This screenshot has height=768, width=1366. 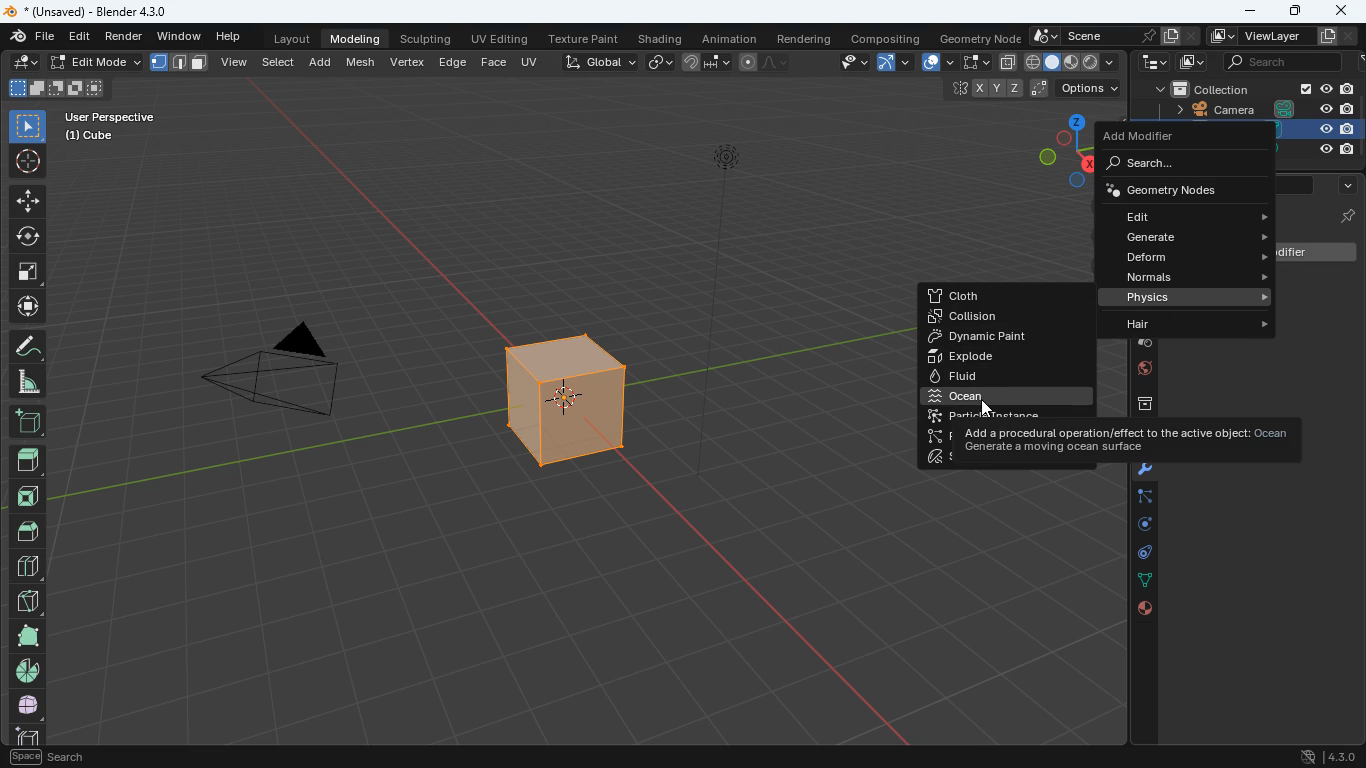 I want to click on shape, so click(x=27, y=635).